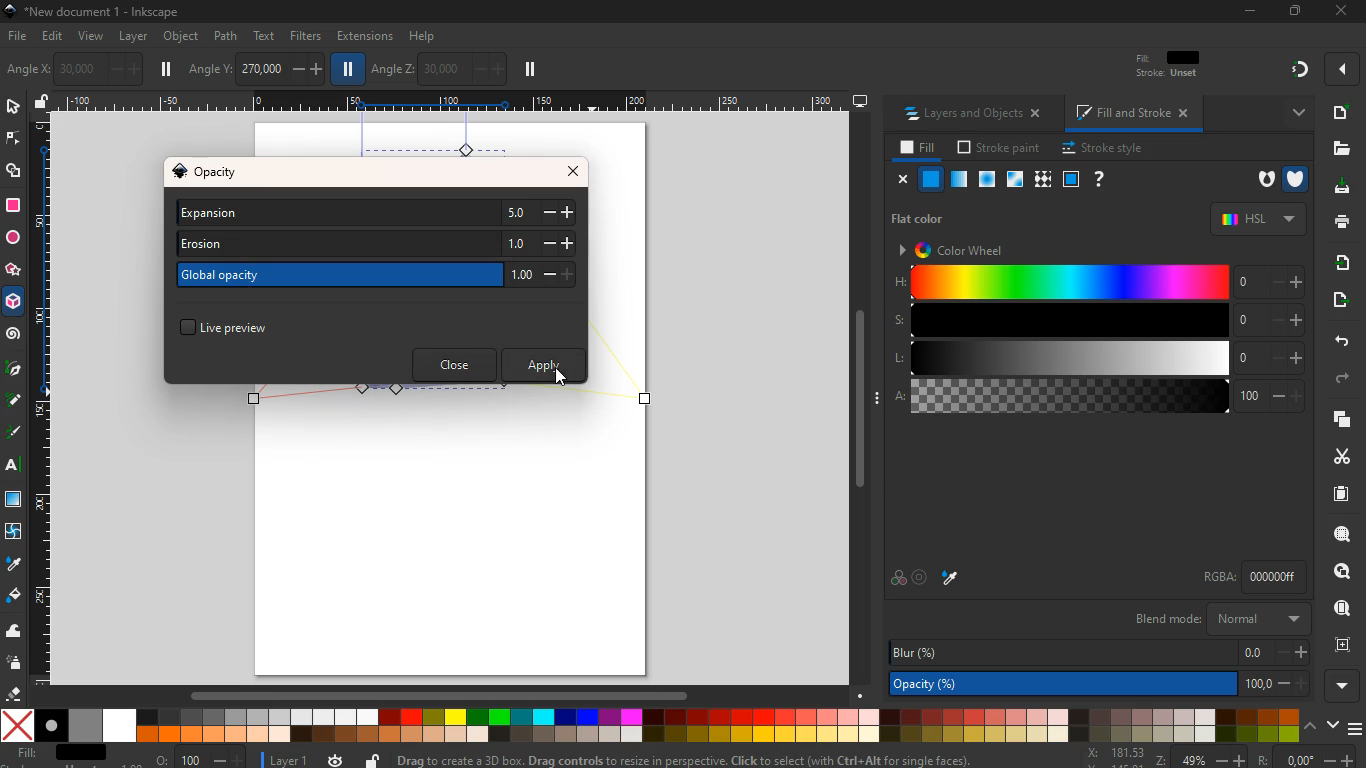 The width and height of the screenshot is (1366, 768). I want to click on , so click(643, 395).